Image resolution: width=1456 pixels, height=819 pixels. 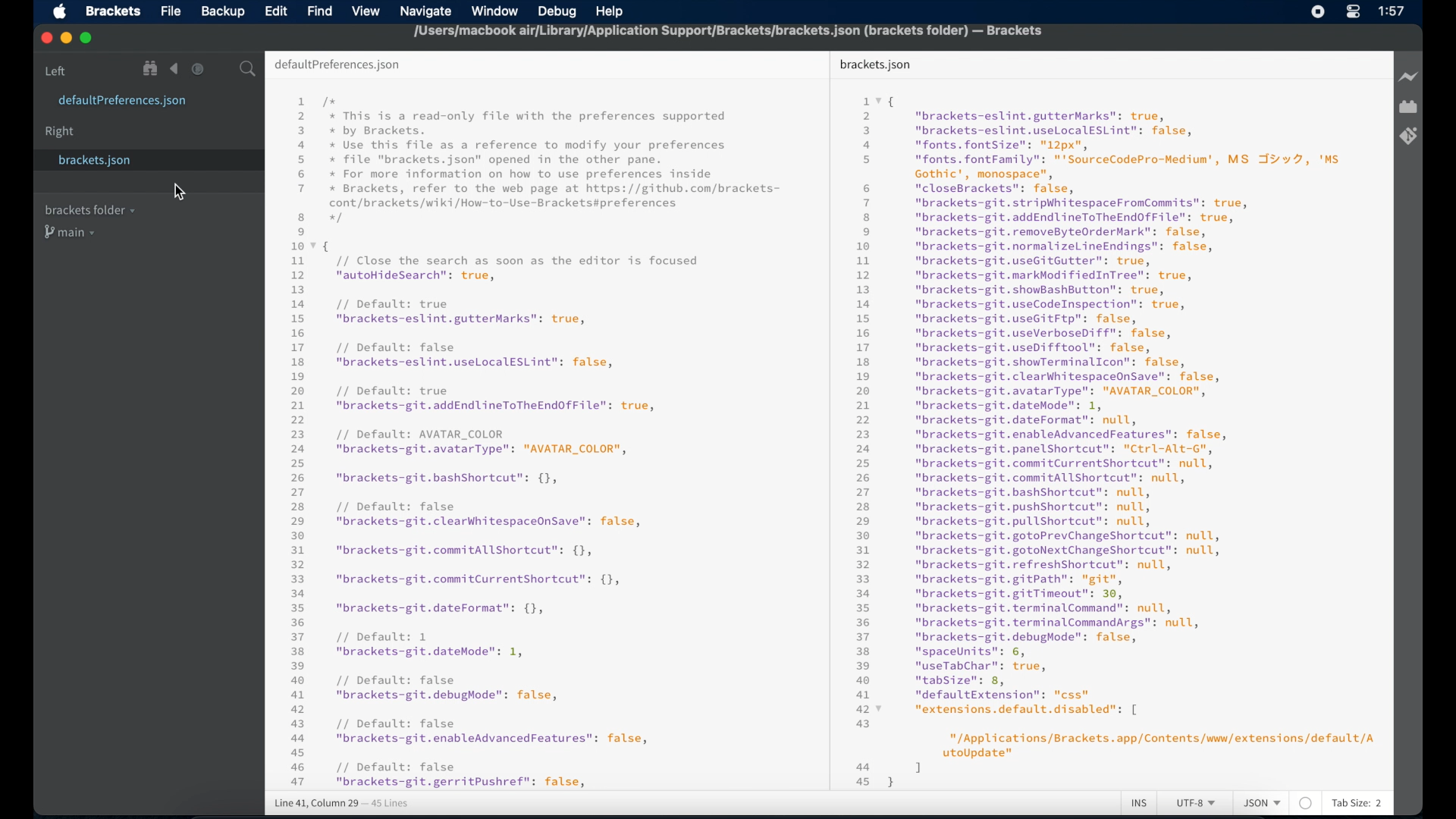 What do you see at coordinates (1197, 804) in the screenshot?
I see `utf-8` at bounding box center [1197, 804].